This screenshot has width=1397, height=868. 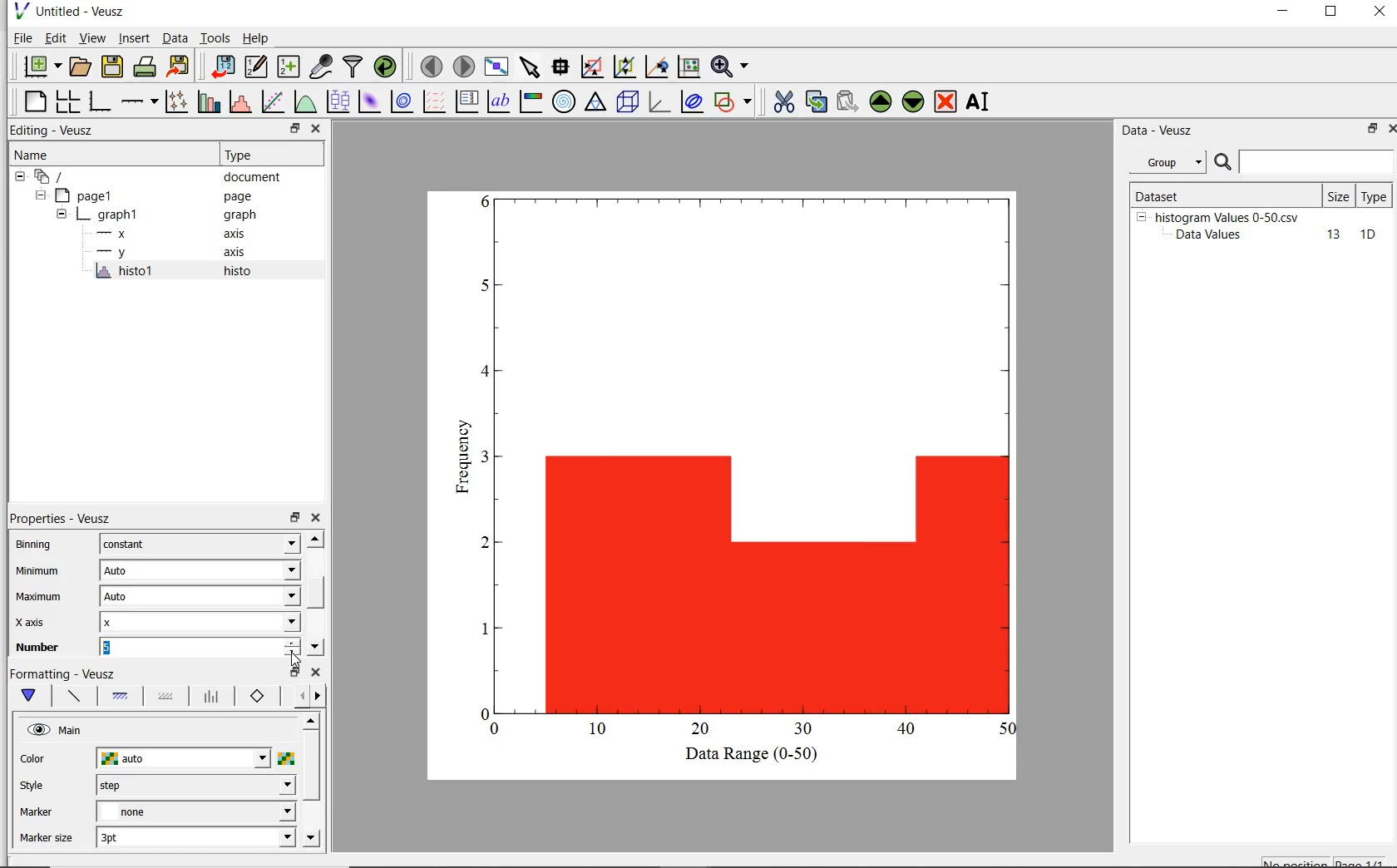 What do you see at coordinates (56, 37) in the screenshot?
I see `edit` at bounding box center [56, 37].